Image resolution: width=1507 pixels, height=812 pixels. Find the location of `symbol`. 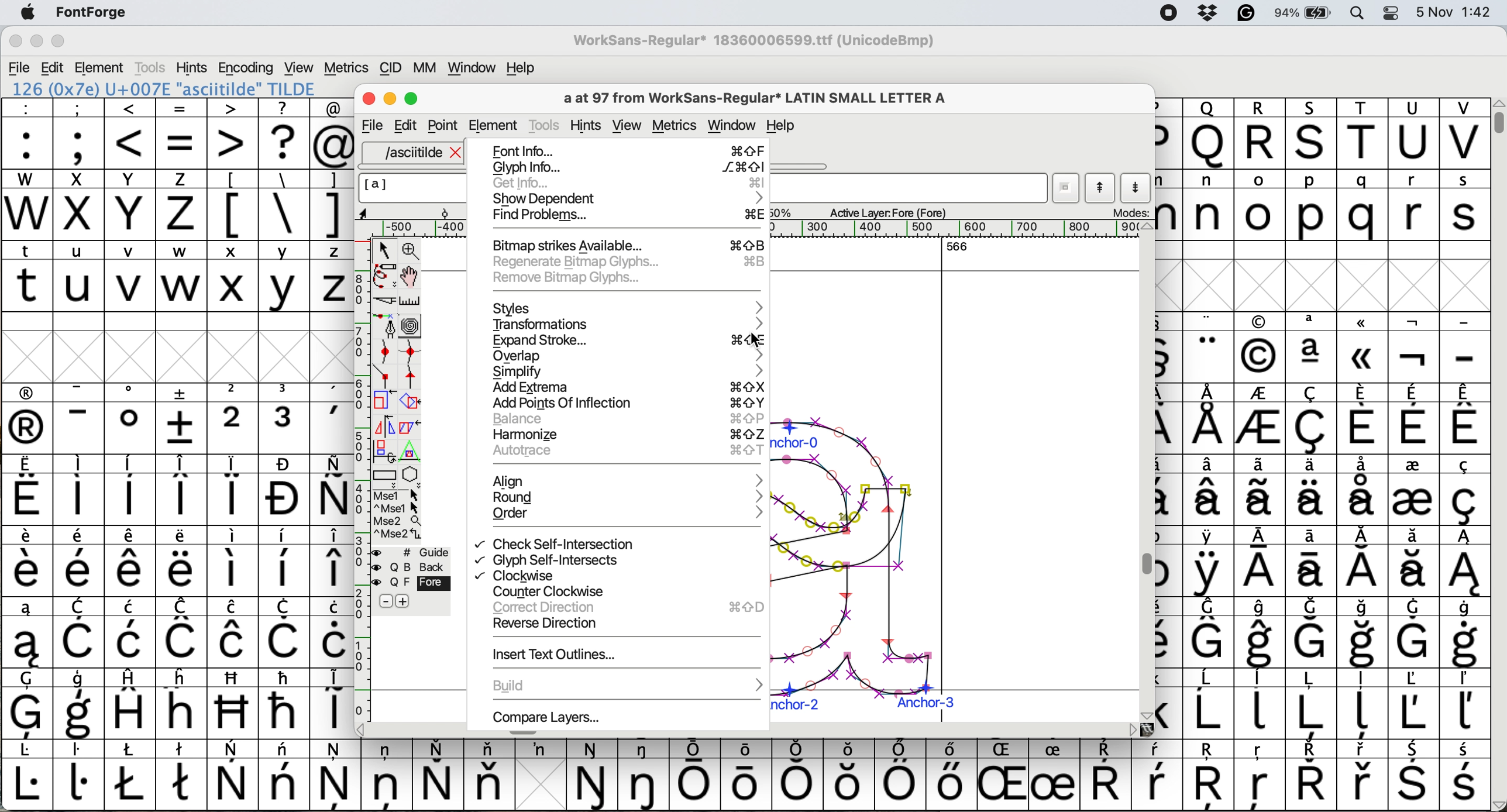

symbol is located at coordinates (1363, 418).